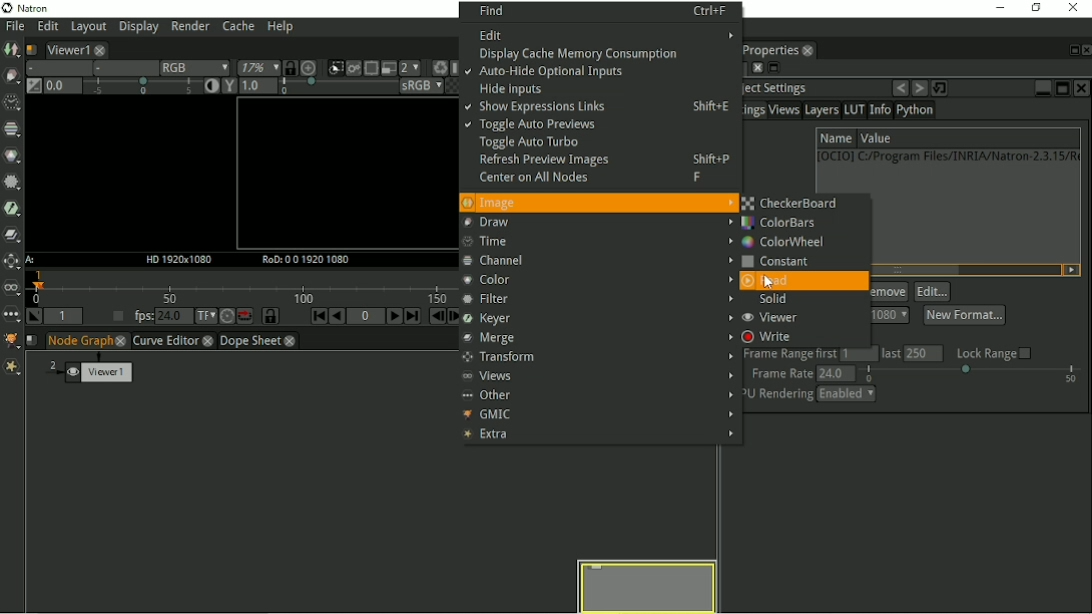 The height and width of the screenshot is (614, 1092). Describe the element at coordinates (607, 34) in the screenshot. I see `Edit` at that location.